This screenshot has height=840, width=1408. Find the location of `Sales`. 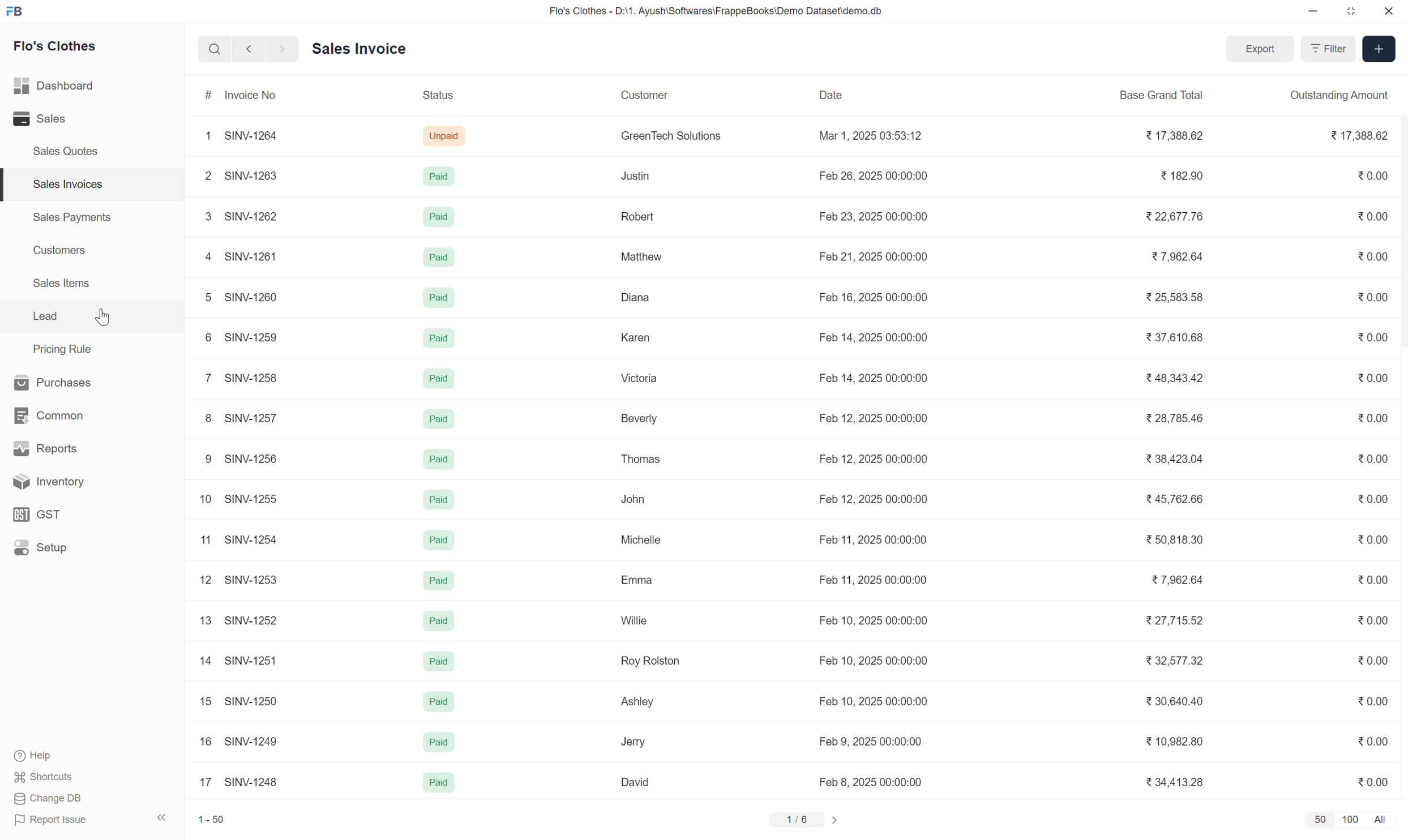

Sales is located at coordinates (40, 119).